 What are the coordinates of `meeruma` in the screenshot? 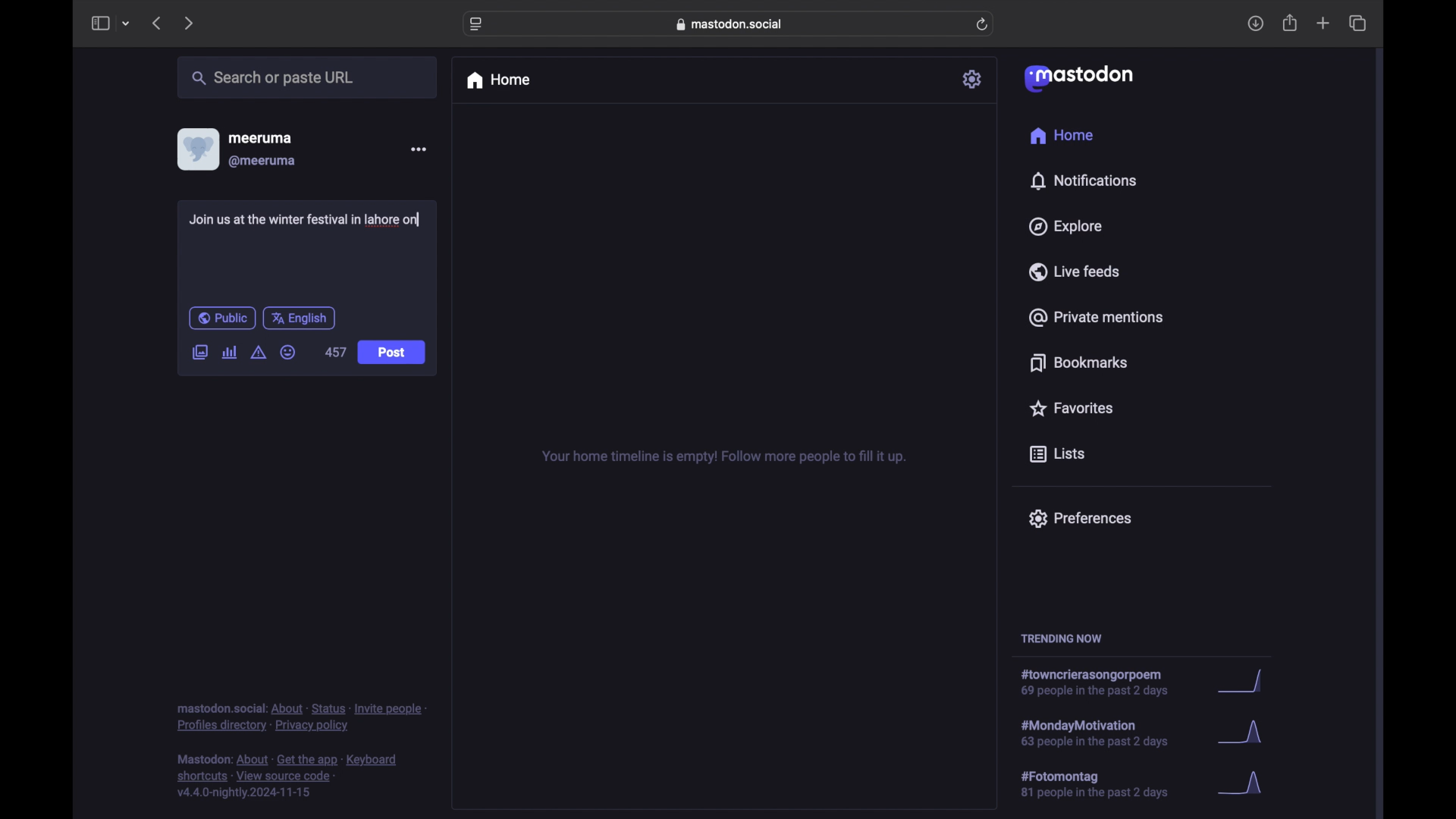 It's located at (260, 137).